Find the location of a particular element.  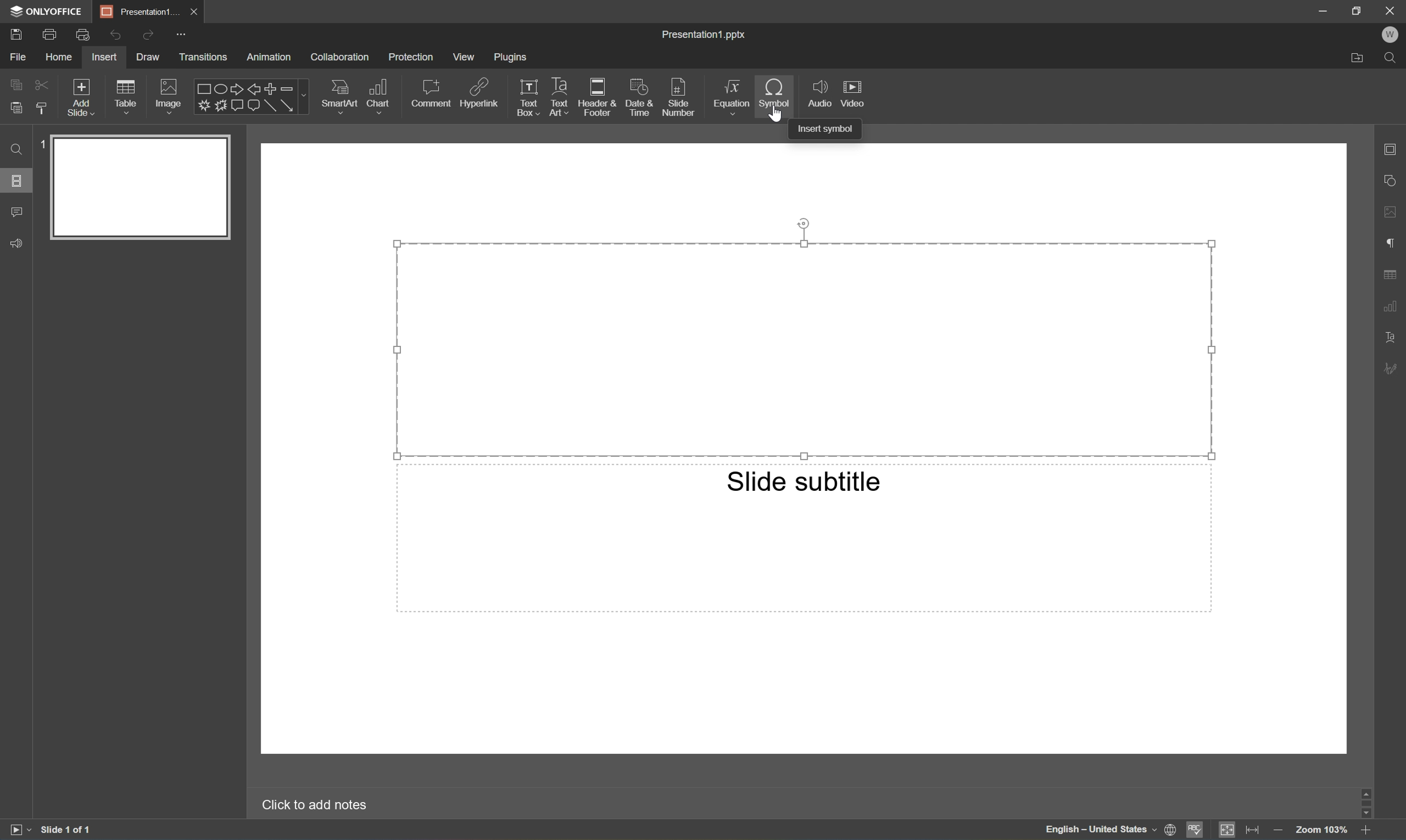

Cut is located at coordinates (40, 84).